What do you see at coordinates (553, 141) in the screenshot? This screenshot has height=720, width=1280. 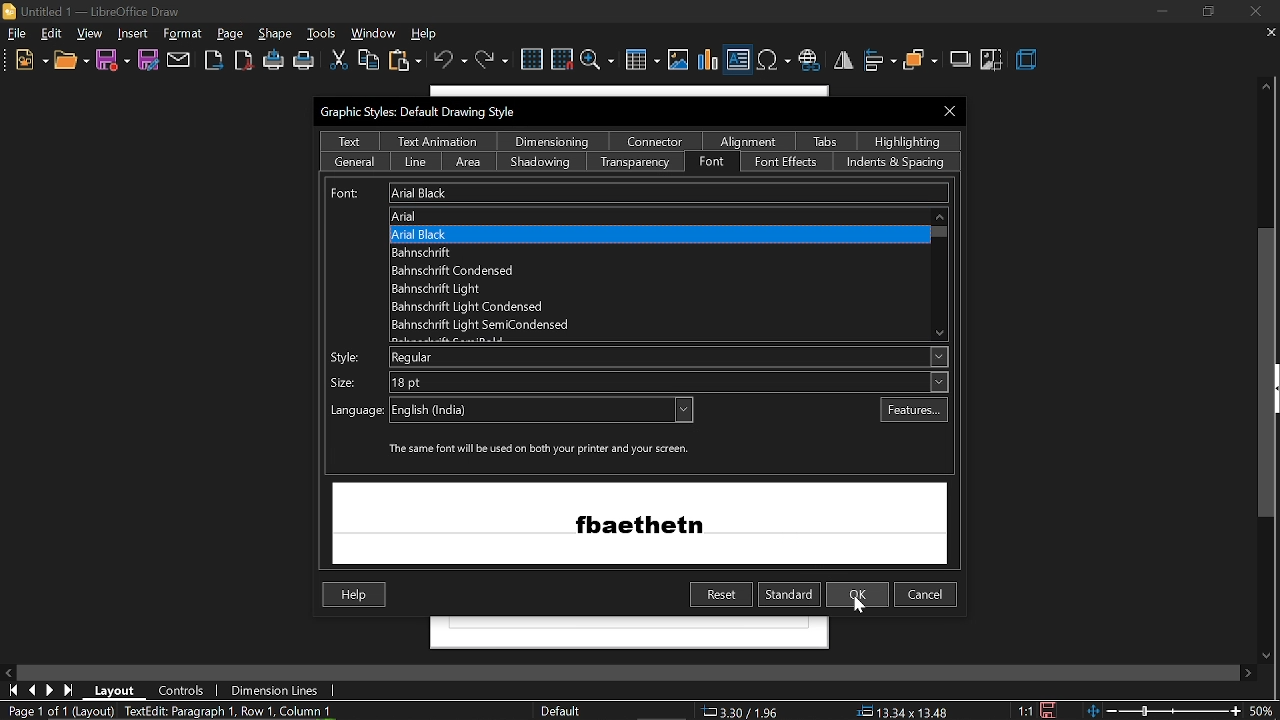 I see `dimensioning` at bounding box center [553, 141].